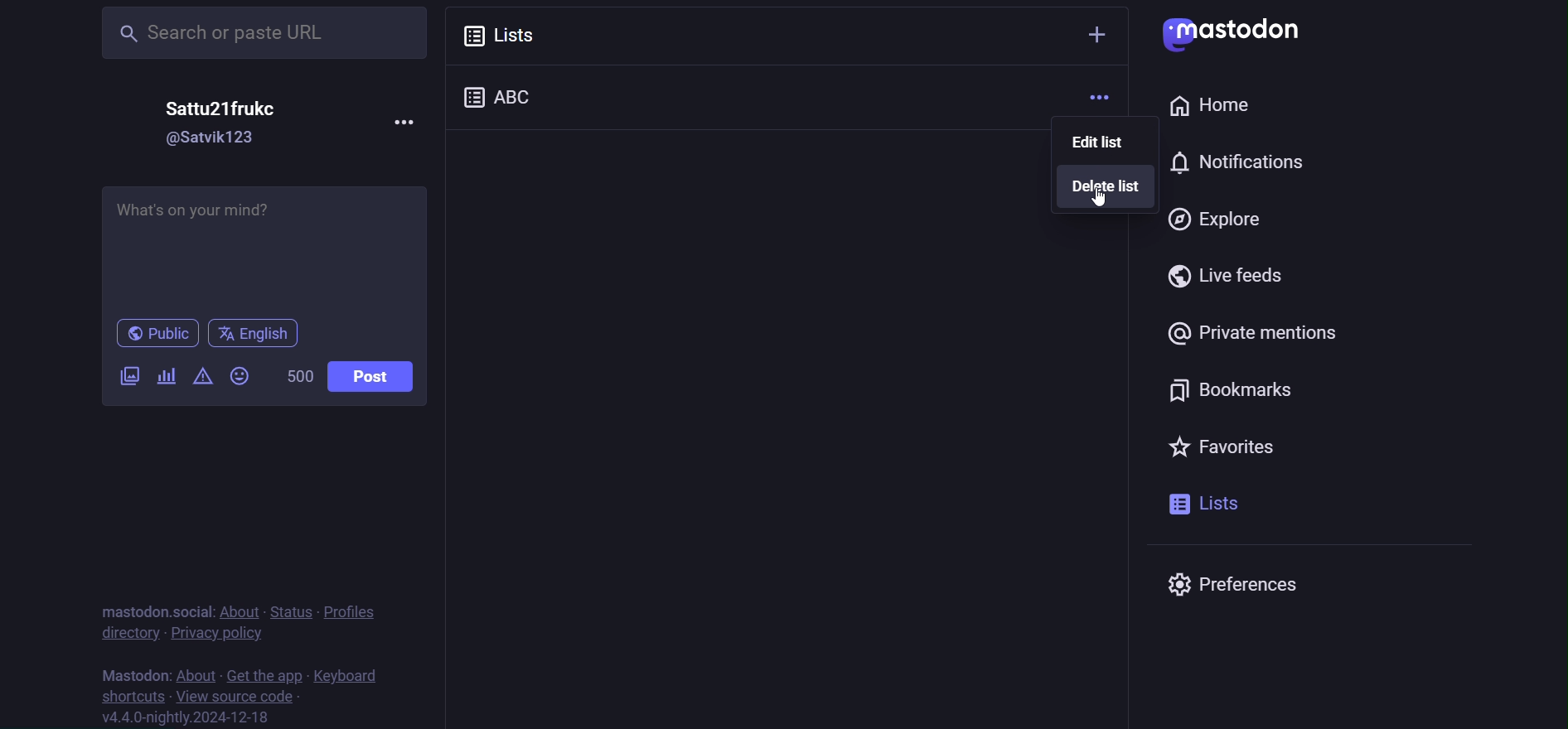  What do you see at coordinates (1107, 186) in the screenshot?
I see `delete list` at bounding box center [1107, 186].